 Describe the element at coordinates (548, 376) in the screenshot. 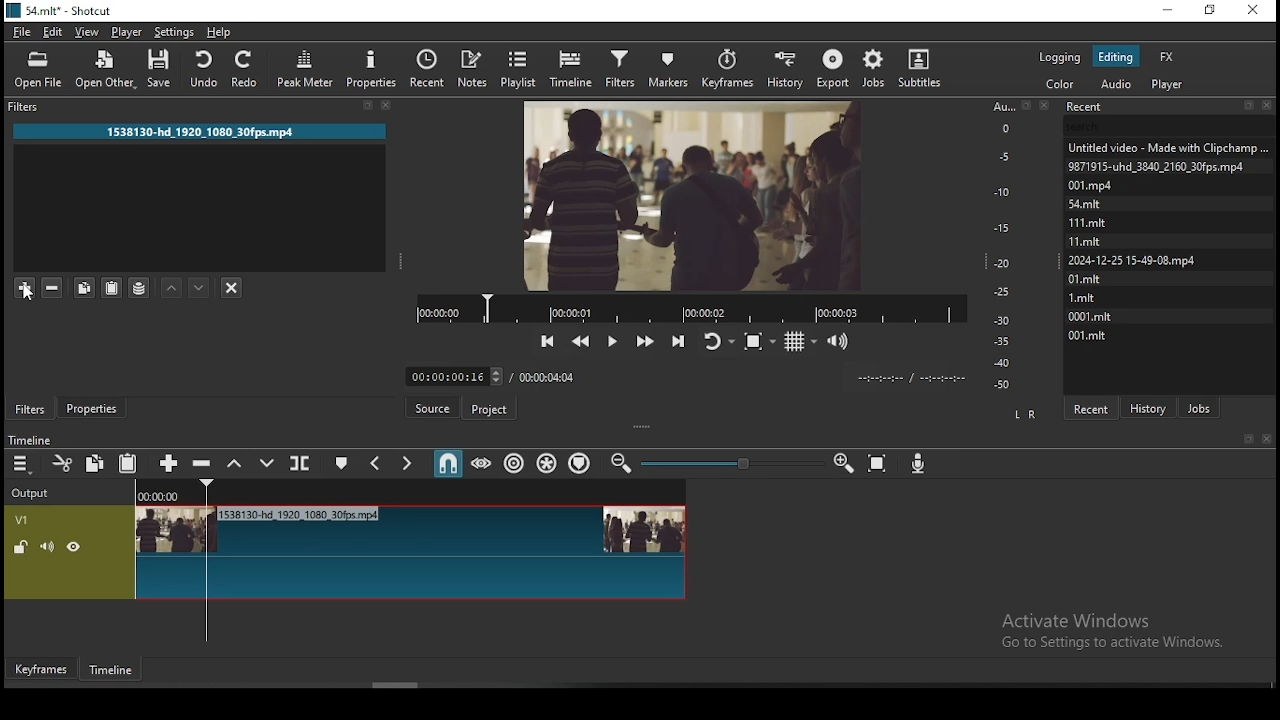

I see `total time` at that location.